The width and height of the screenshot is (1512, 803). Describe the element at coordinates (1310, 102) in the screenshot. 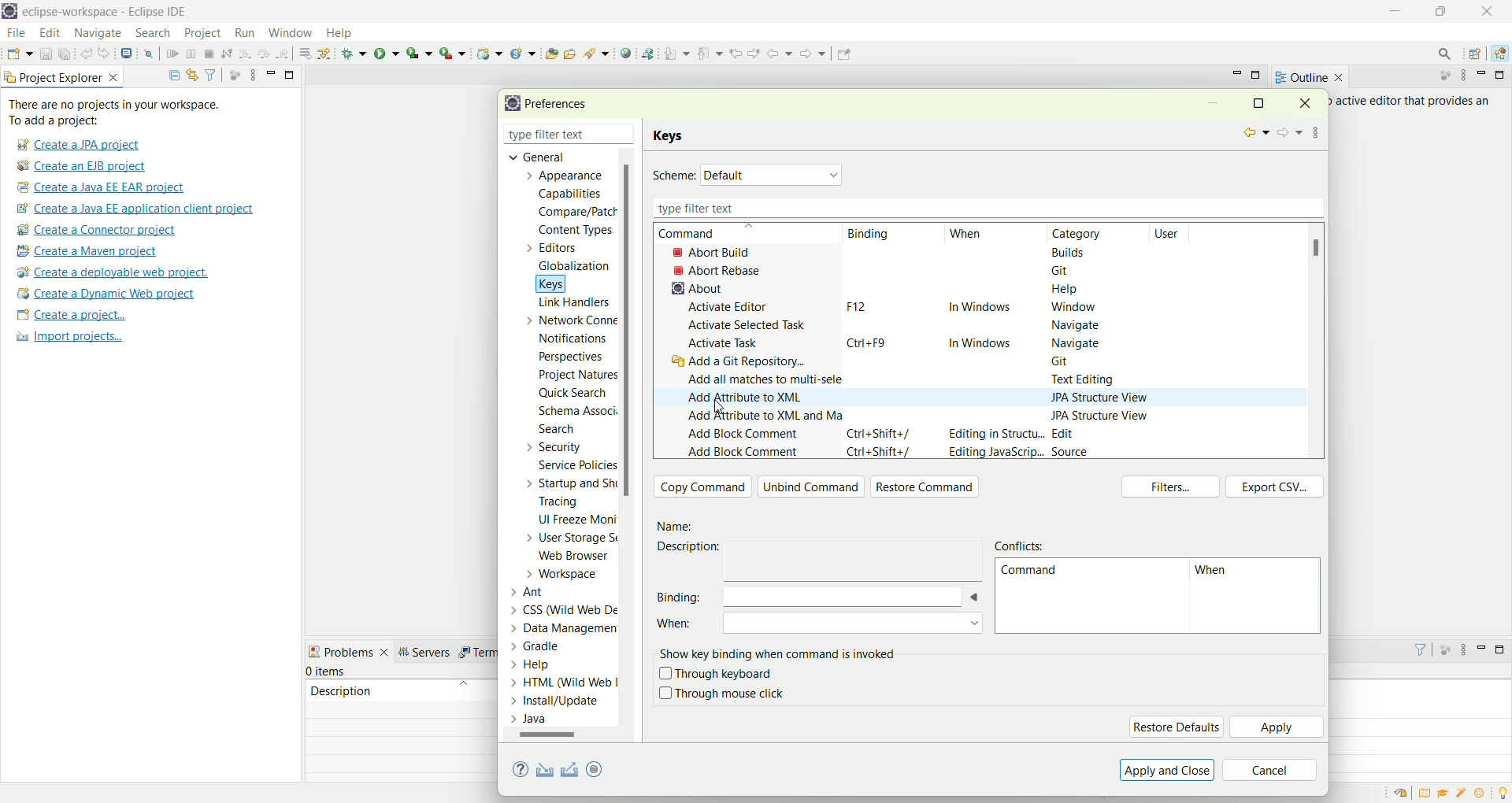

I see `close` at that location.